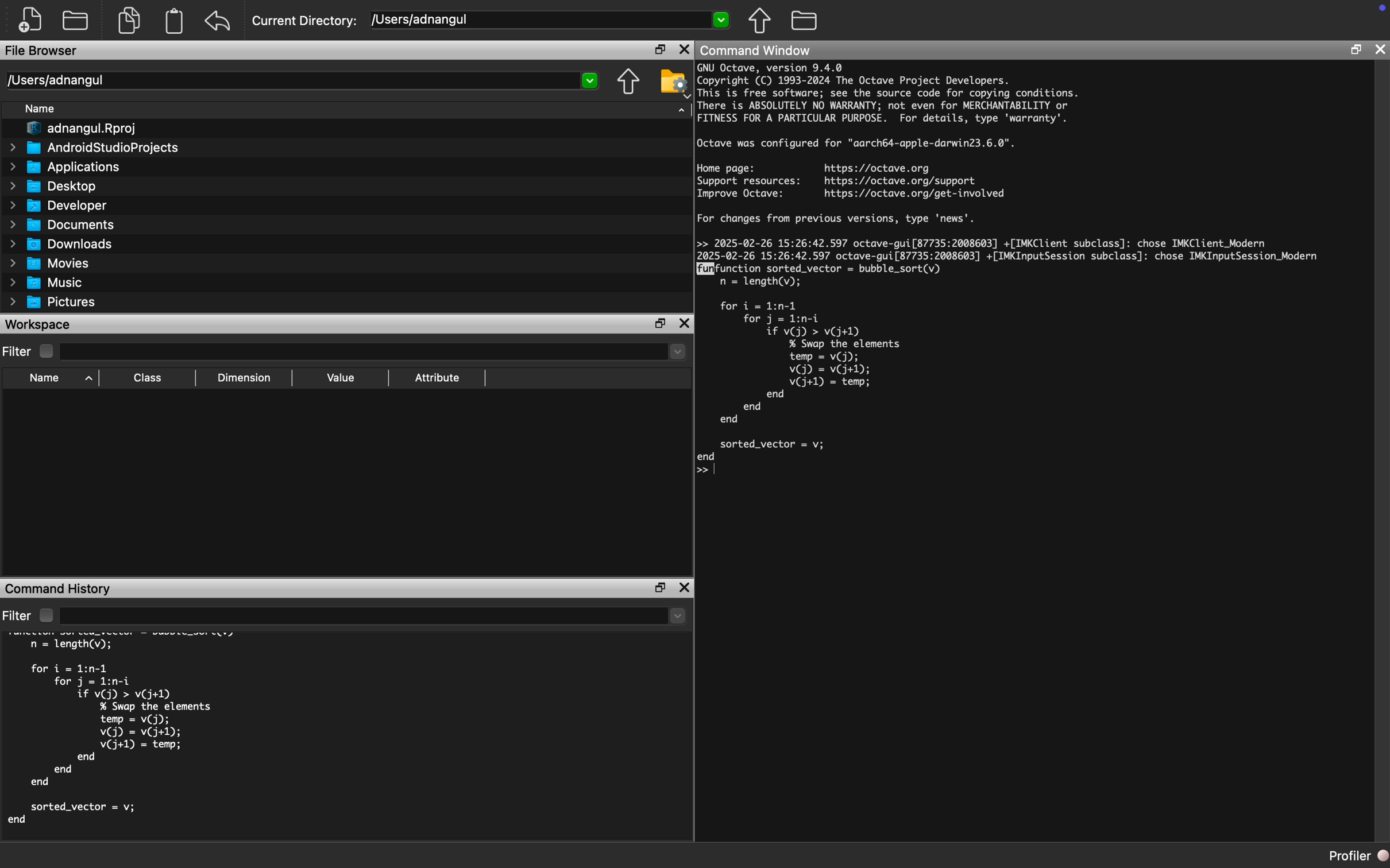  What do you see at coordinates (674, 83) in the screenshot?
I see `Folder Settings` at bounding box center [674, 83].